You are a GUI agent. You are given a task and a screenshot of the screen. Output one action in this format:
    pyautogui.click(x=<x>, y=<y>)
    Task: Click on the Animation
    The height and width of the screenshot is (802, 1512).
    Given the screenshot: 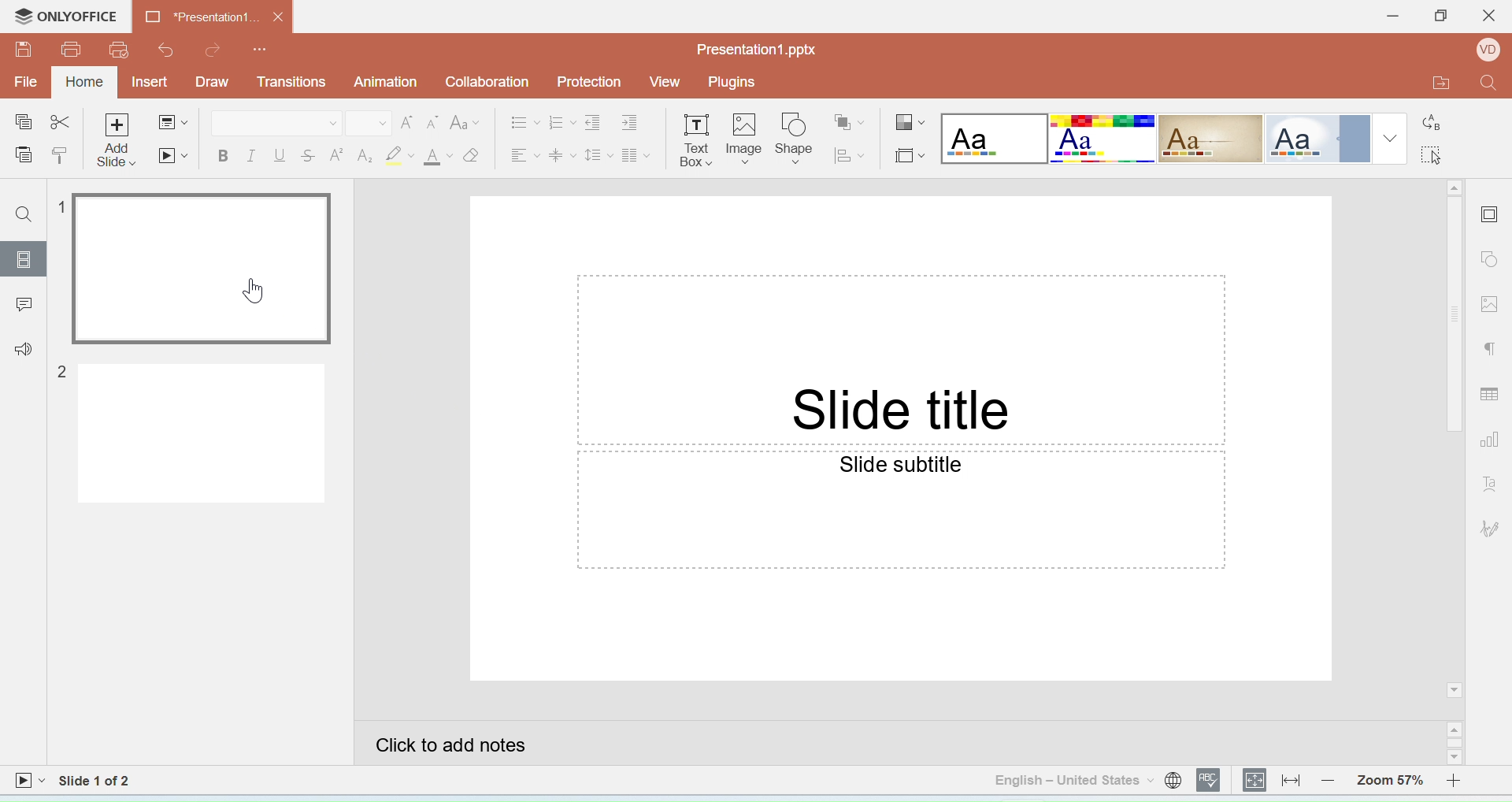 What is the action you would take?
    pyautogui.click(x=387, y=82)
    